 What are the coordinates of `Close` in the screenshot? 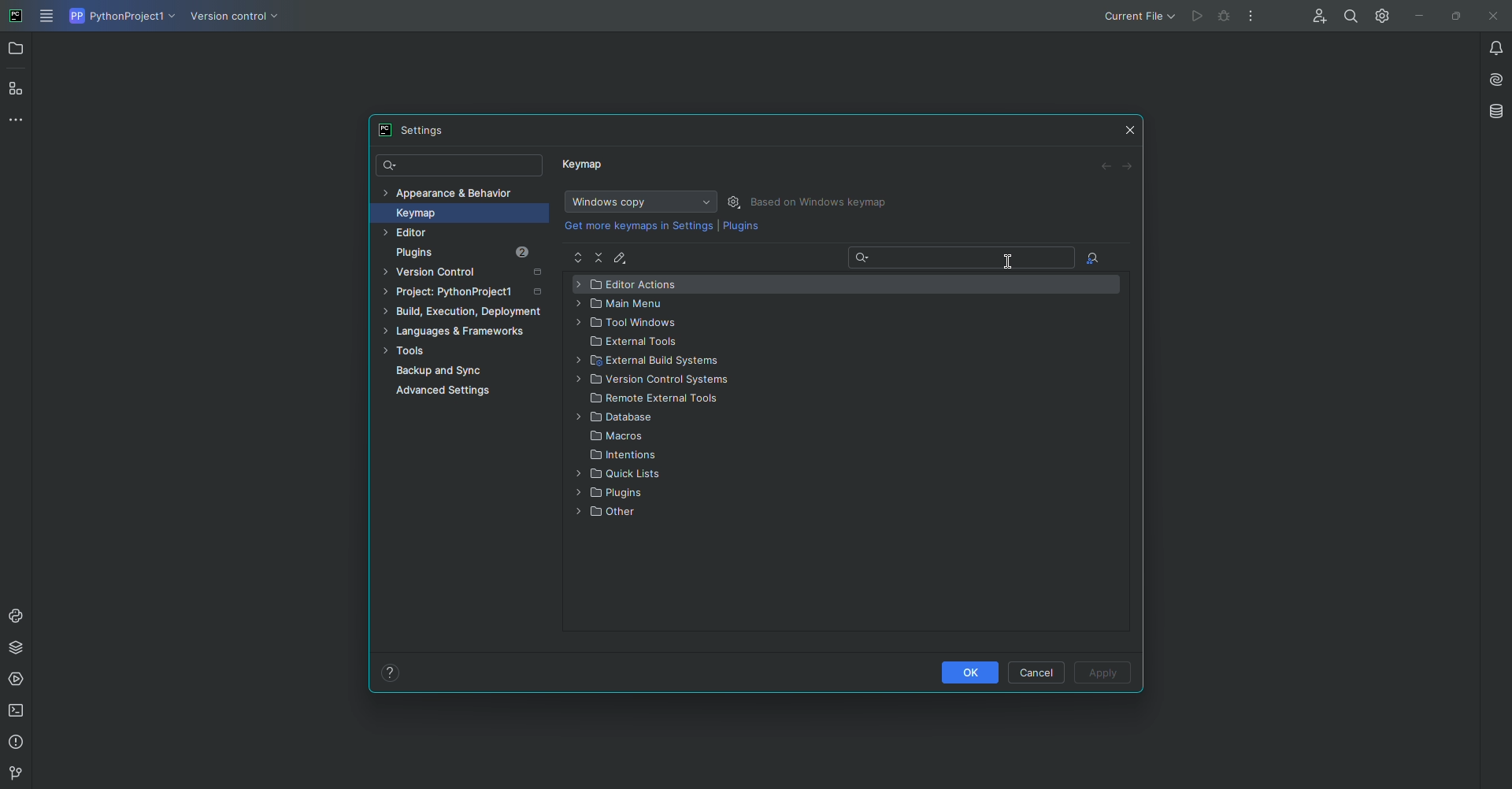 It's located at (1131, 127).